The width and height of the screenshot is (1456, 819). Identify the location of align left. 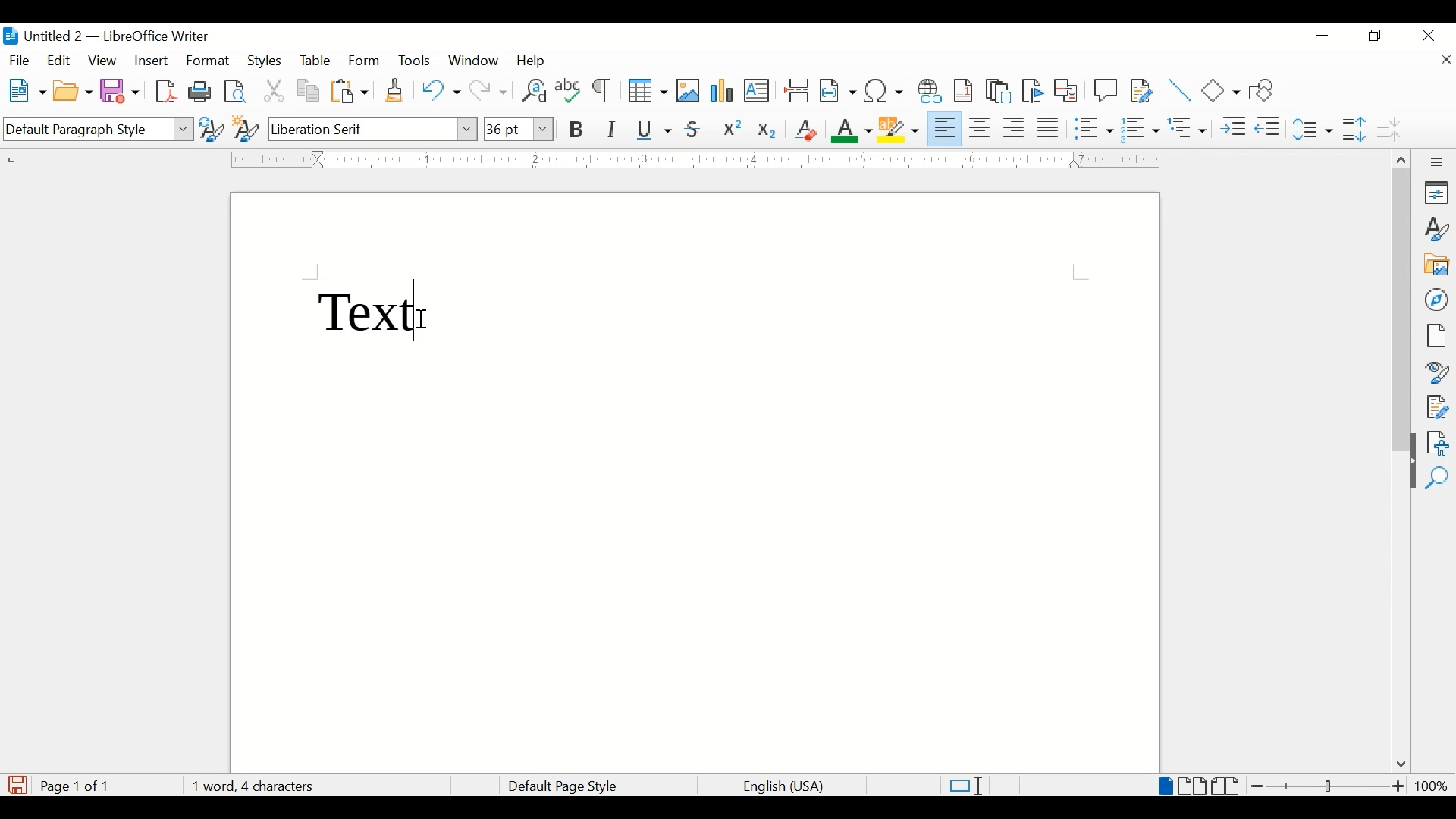
(946, 127).